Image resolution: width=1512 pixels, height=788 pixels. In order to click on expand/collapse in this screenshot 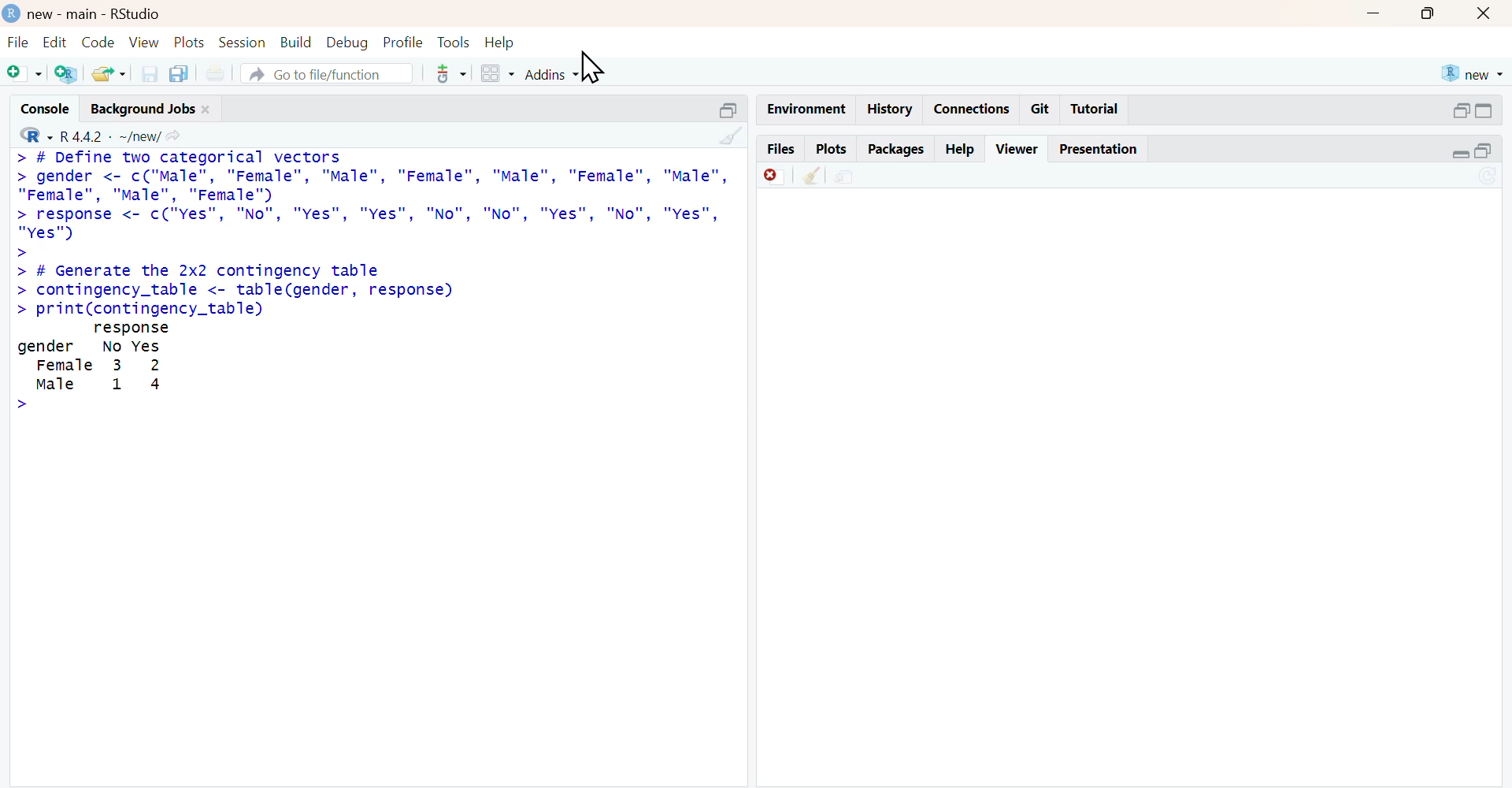, I will do `click(1460, 154)`.